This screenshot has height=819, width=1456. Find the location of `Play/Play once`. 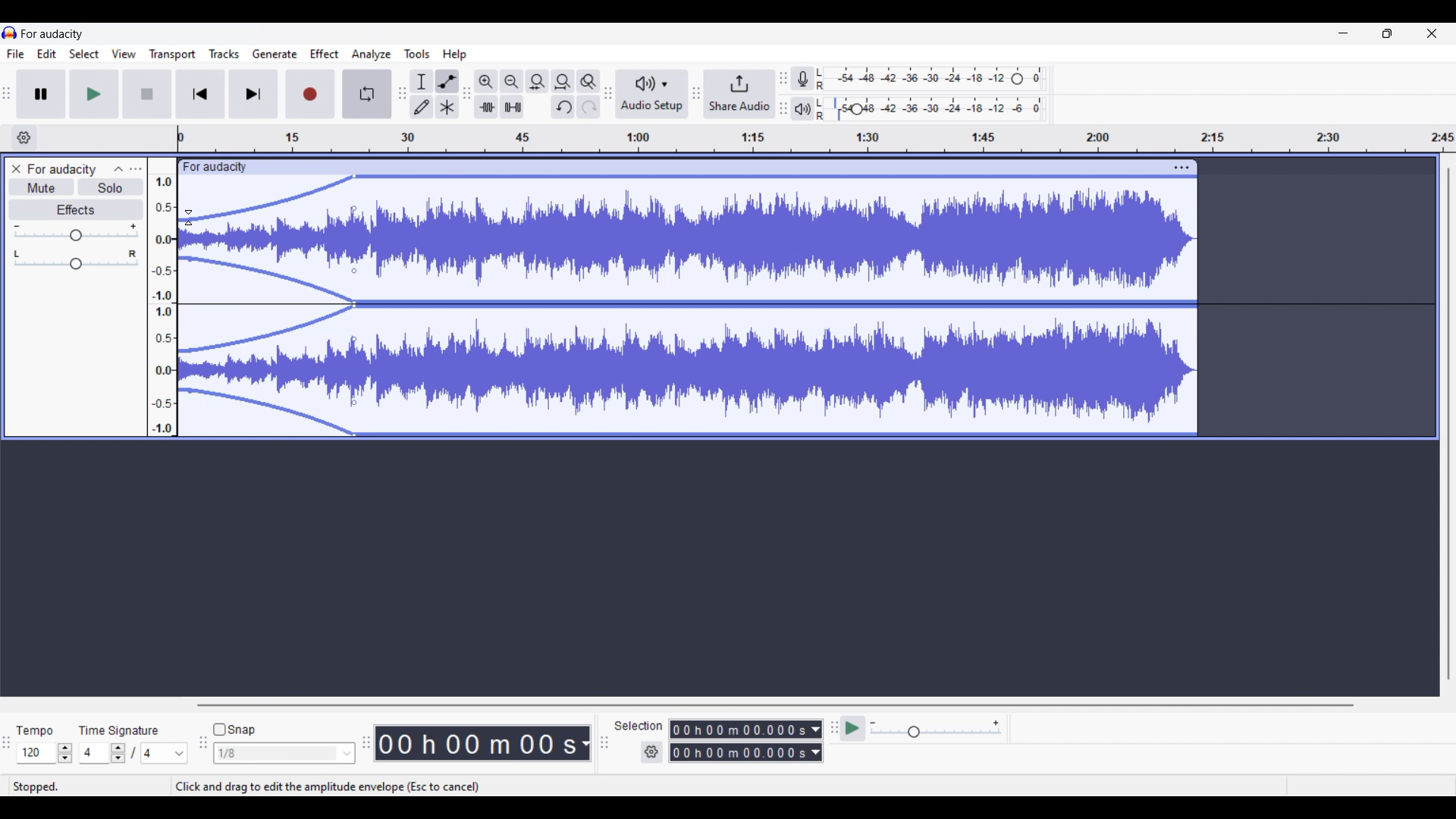

Play/Play once is located at coordinates (95, 94).